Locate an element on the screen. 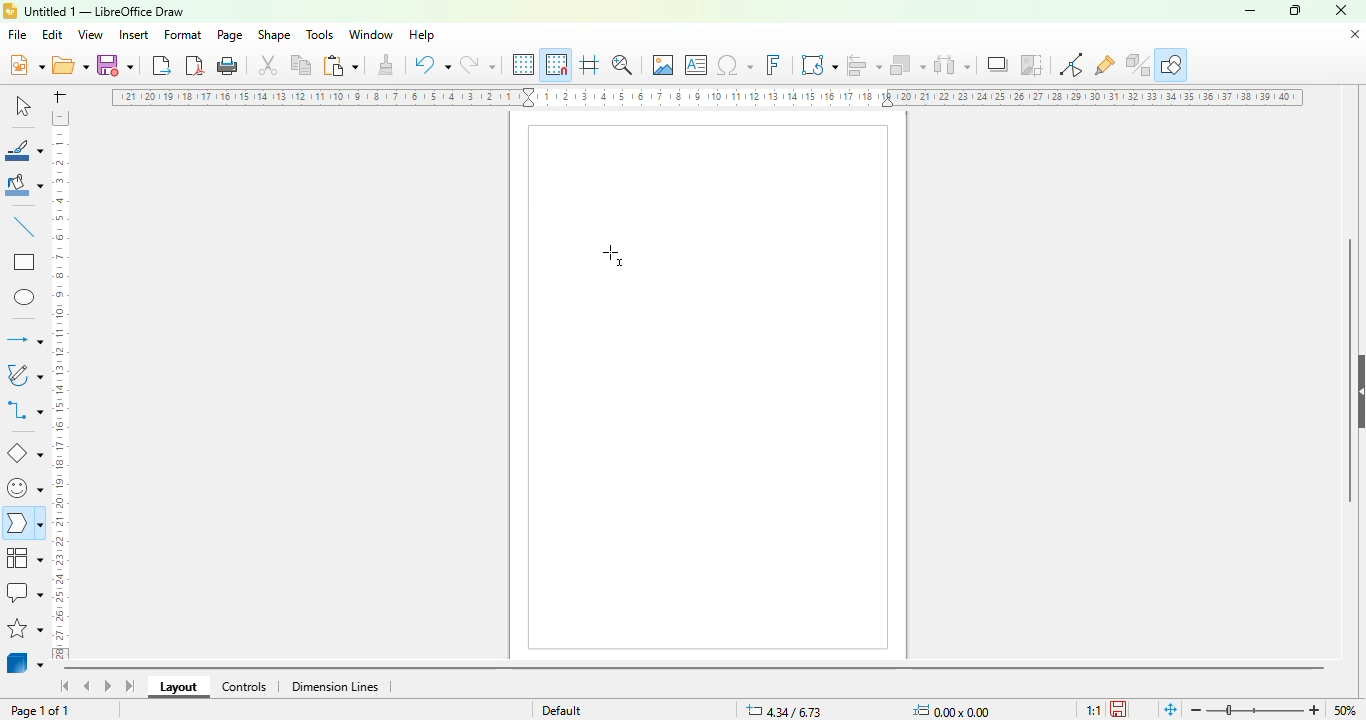 The width and height of the screenshot is (1366, 720). open is located at coordinates (70, 64).